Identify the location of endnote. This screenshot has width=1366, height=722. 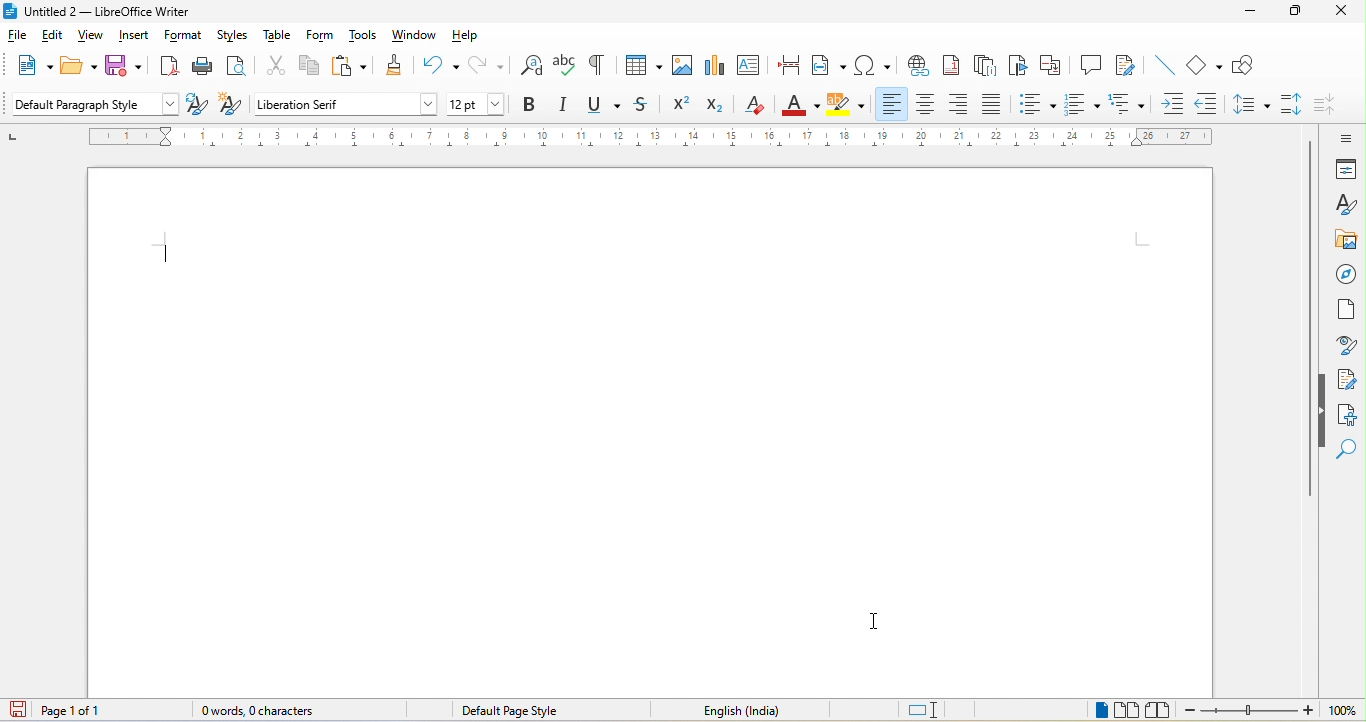
(987, 68).